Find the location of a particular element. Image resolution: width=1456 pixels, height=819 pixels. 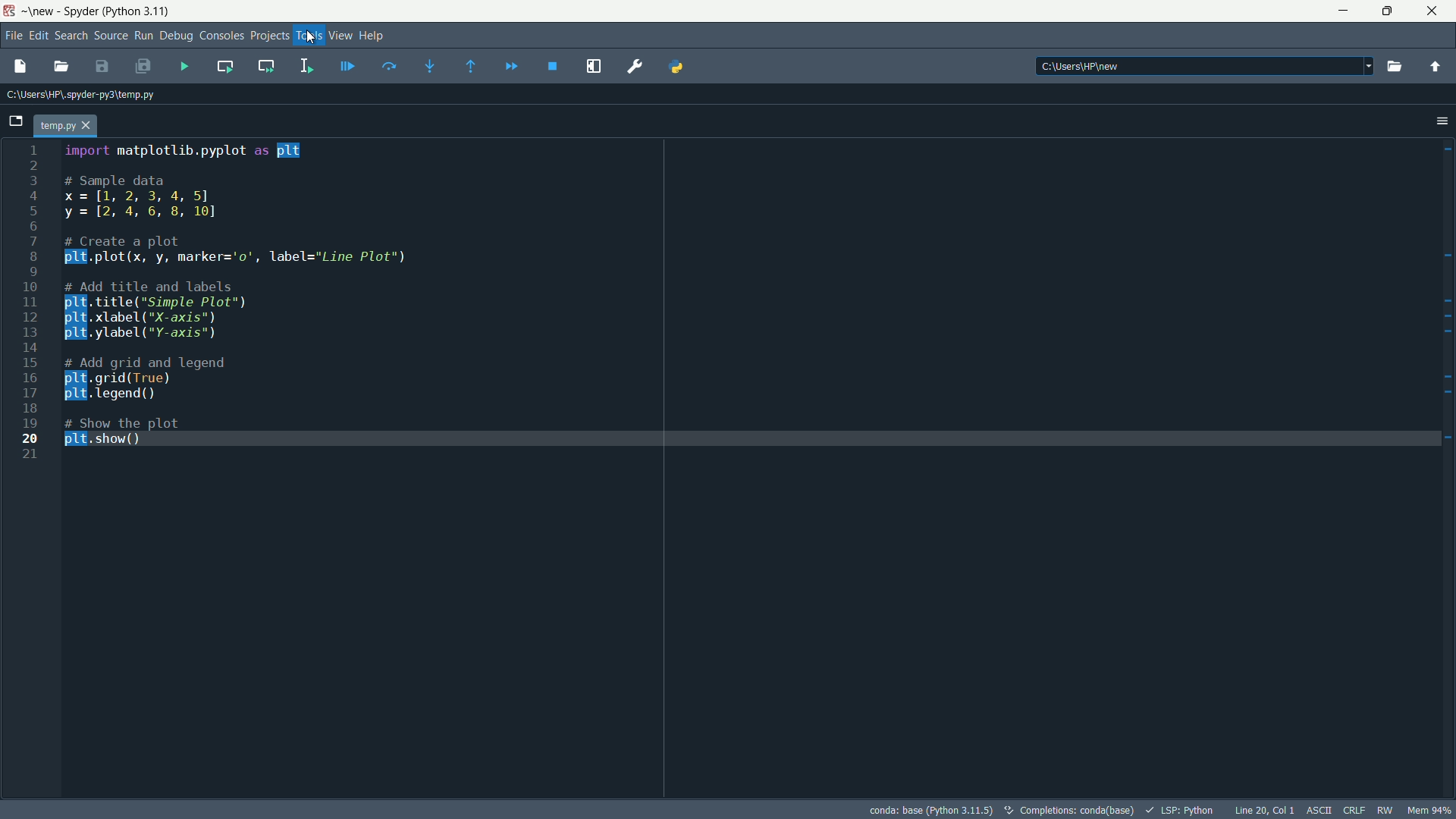

execute current line is located at coordinates (391, 67).